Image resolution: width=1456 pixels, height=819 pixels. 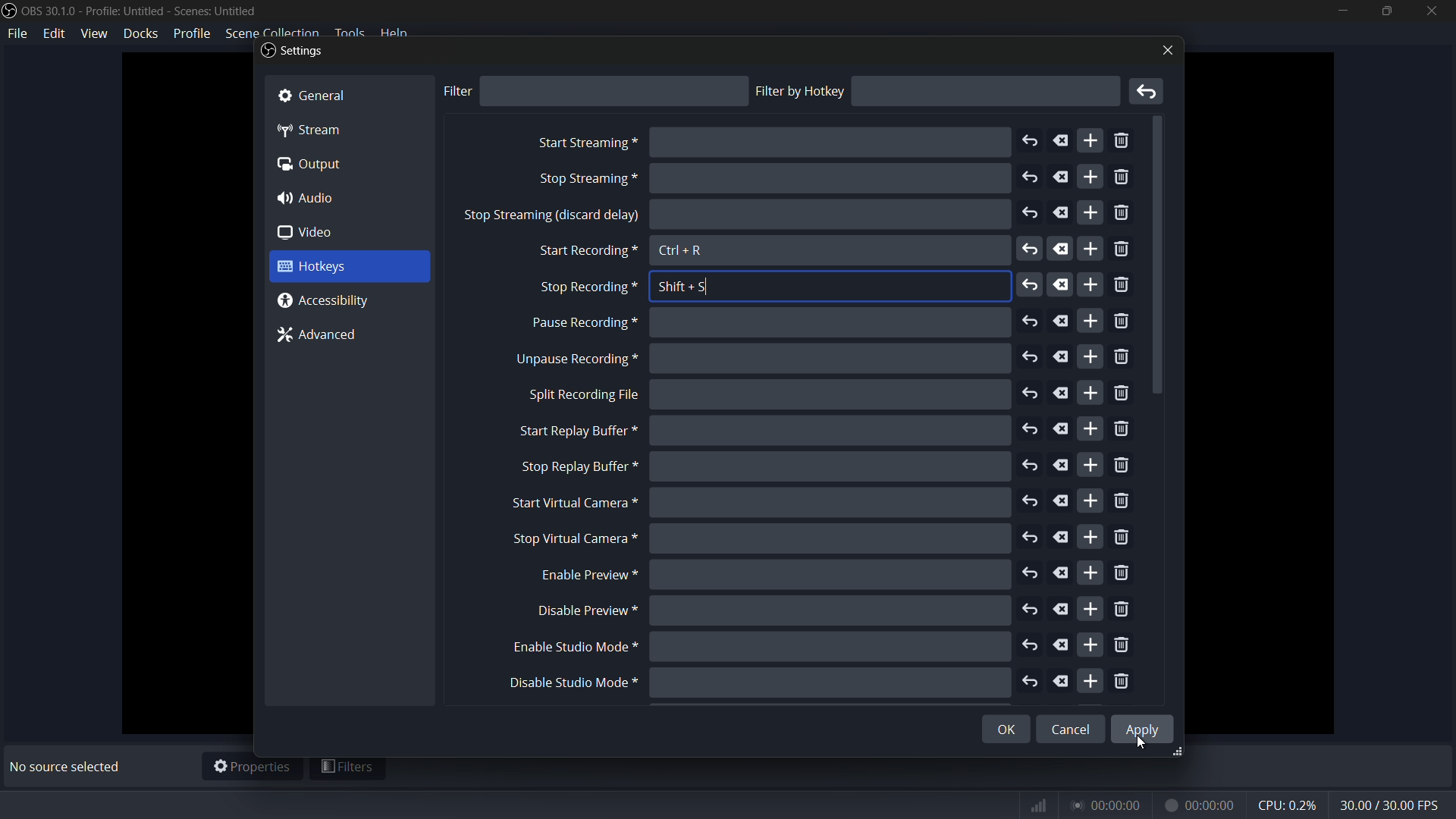 I want to click on view menu, so click(x=94, y=33).